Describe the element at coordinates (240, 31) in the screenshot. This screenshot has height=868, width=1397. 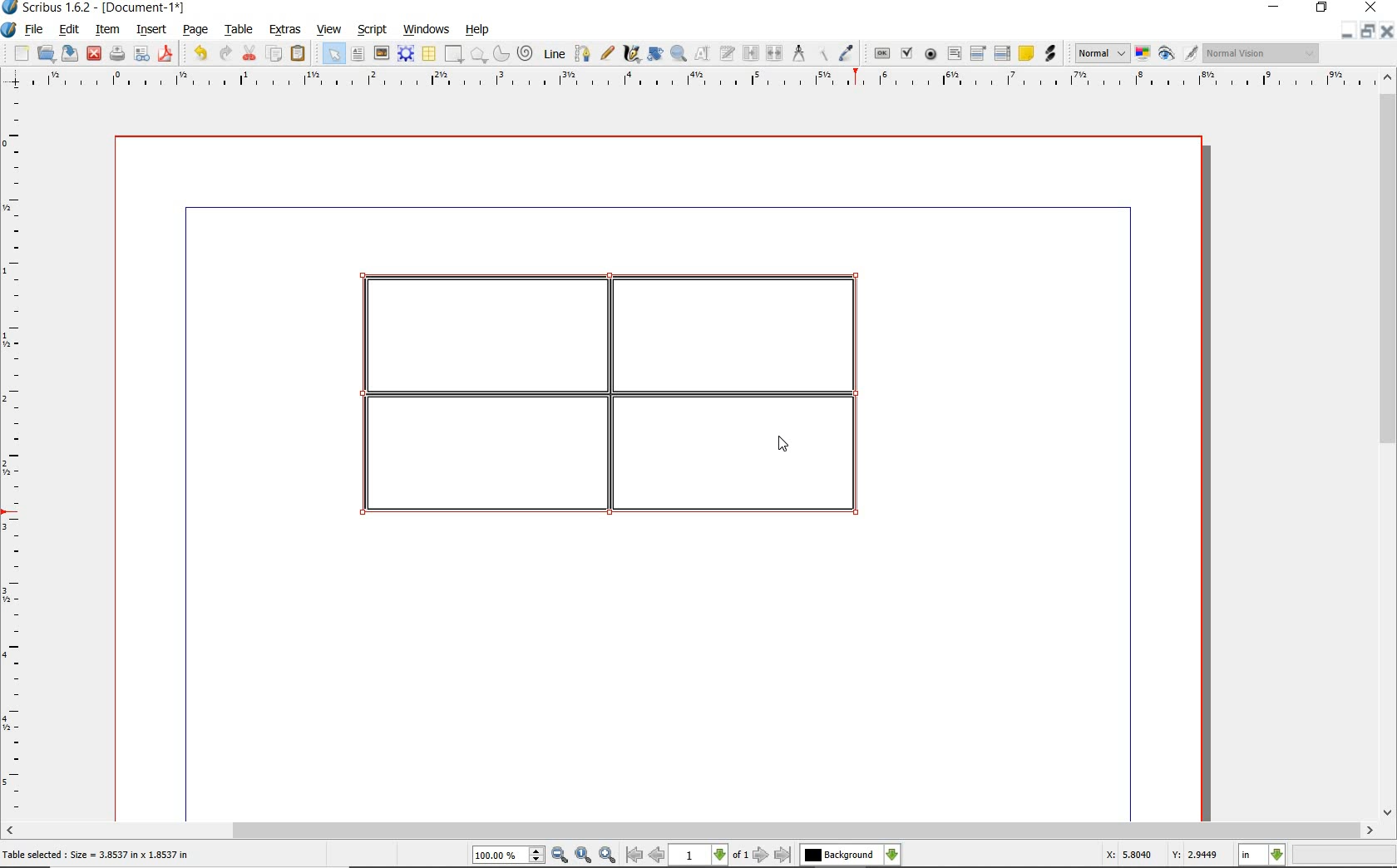
I see `table` at that location.